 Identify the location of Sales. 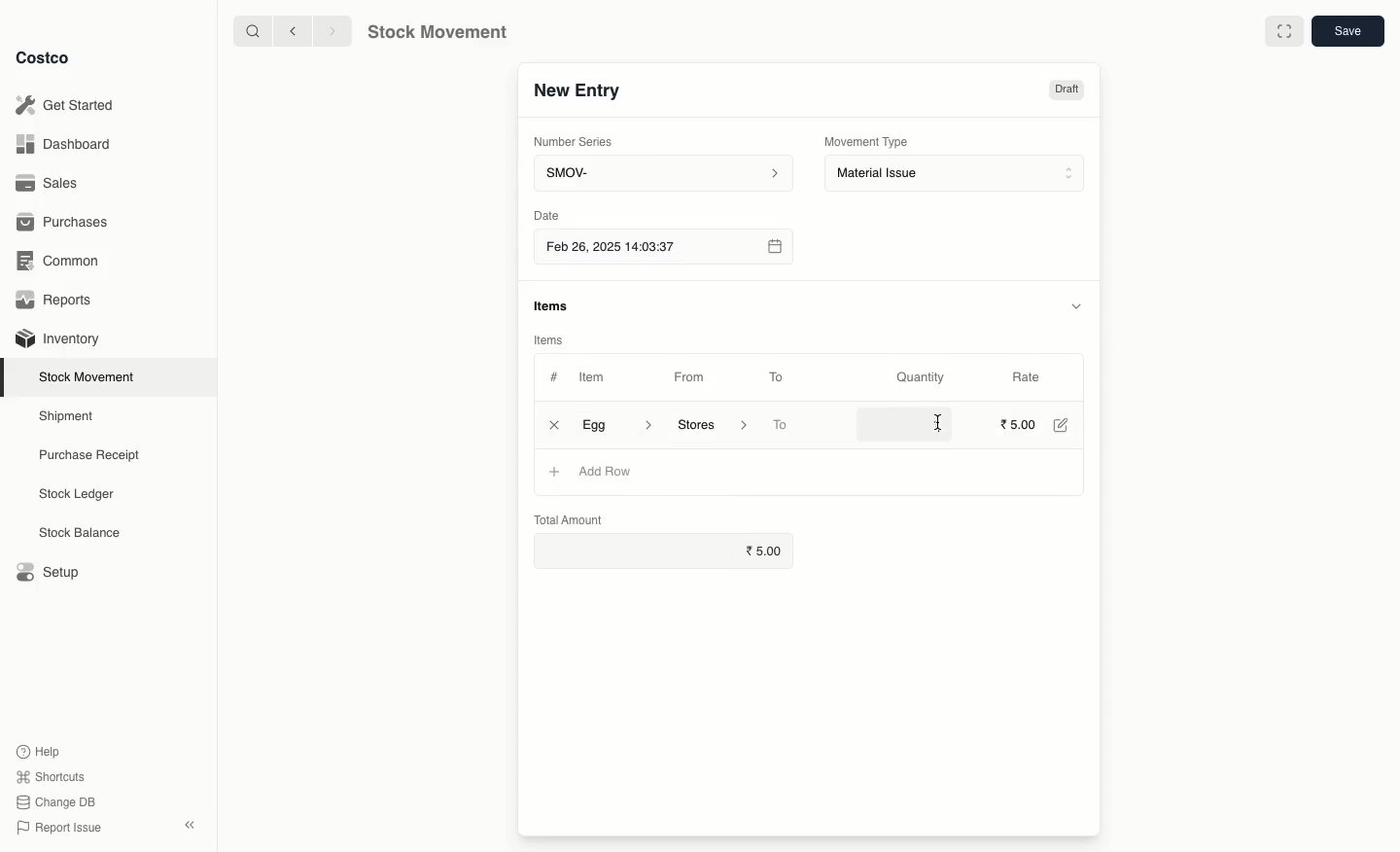
(50, 182).